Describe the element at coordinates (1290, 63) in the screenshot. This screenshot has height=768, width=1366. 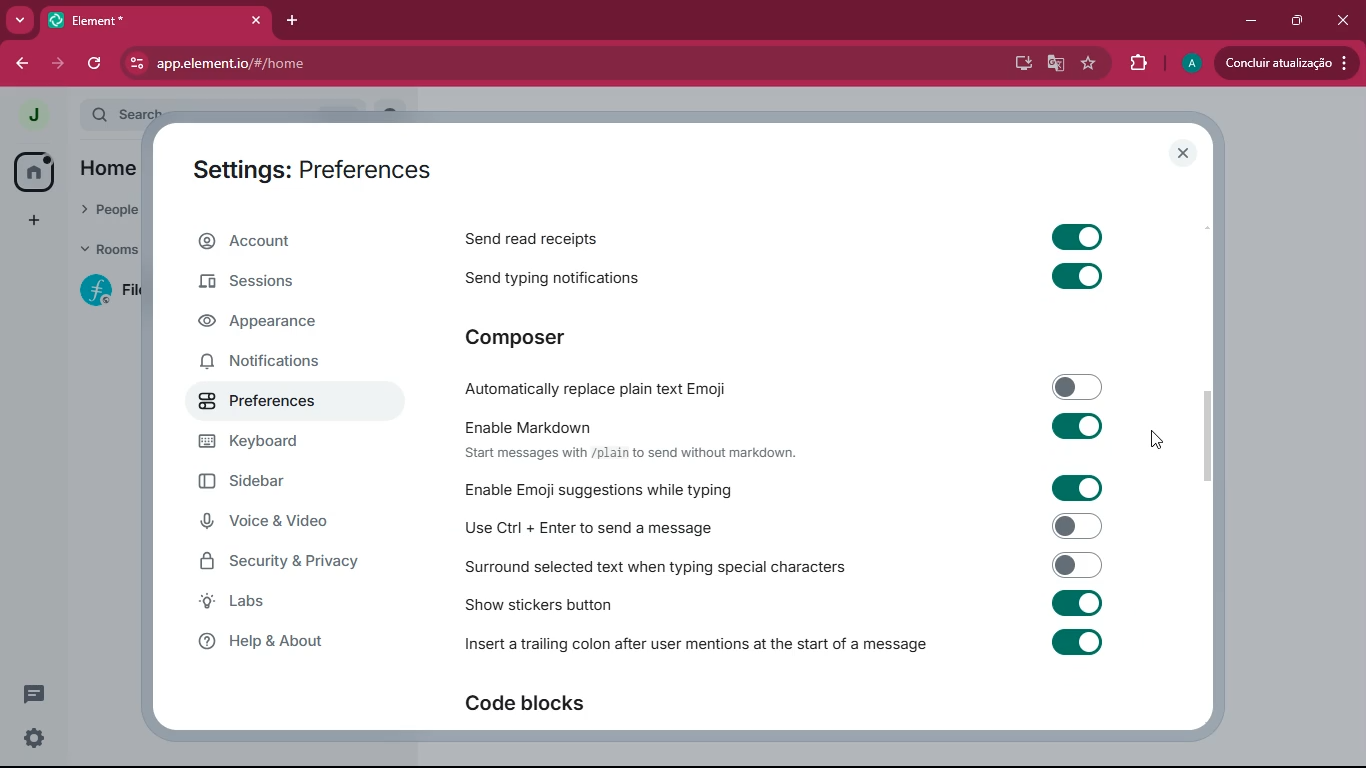
I see `Concluir atualização` at that location.